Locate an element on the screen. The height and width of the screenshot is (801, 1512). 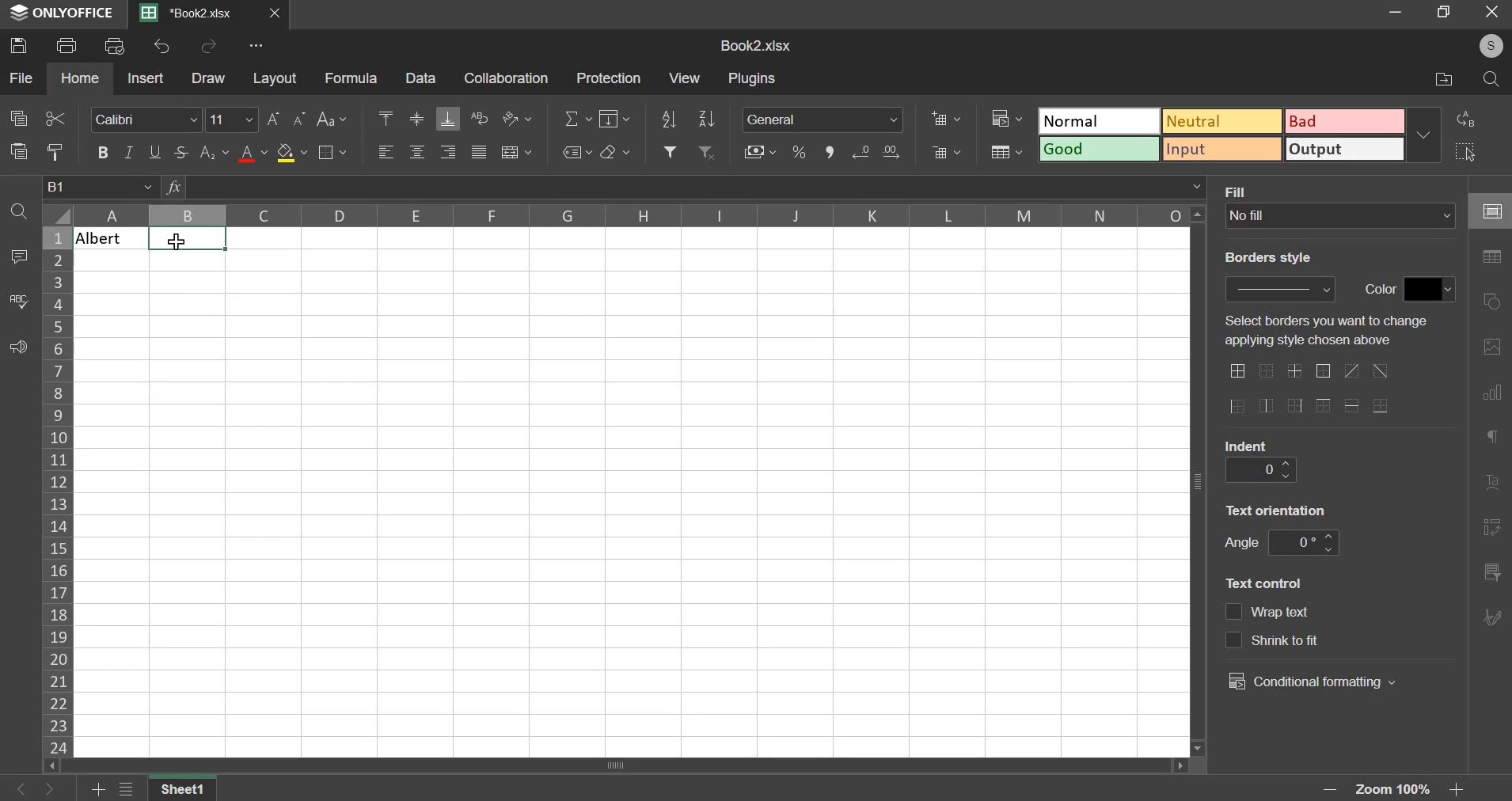
conditional formatting is located at coordinates (1316, 682).